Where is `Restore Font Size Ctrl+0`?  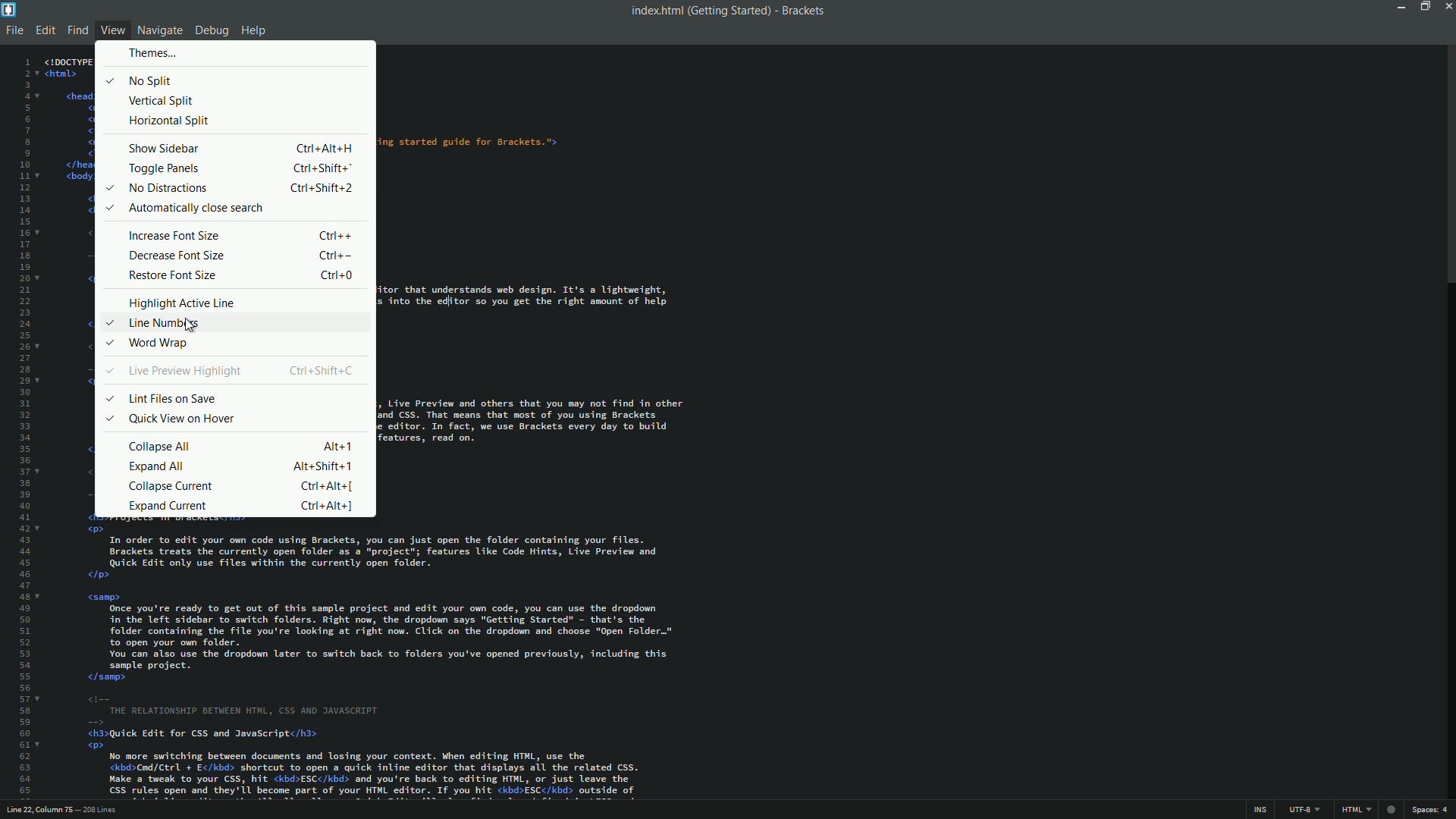
Restore Font Size Ctrl+0 is located at coordinates (242, 276).